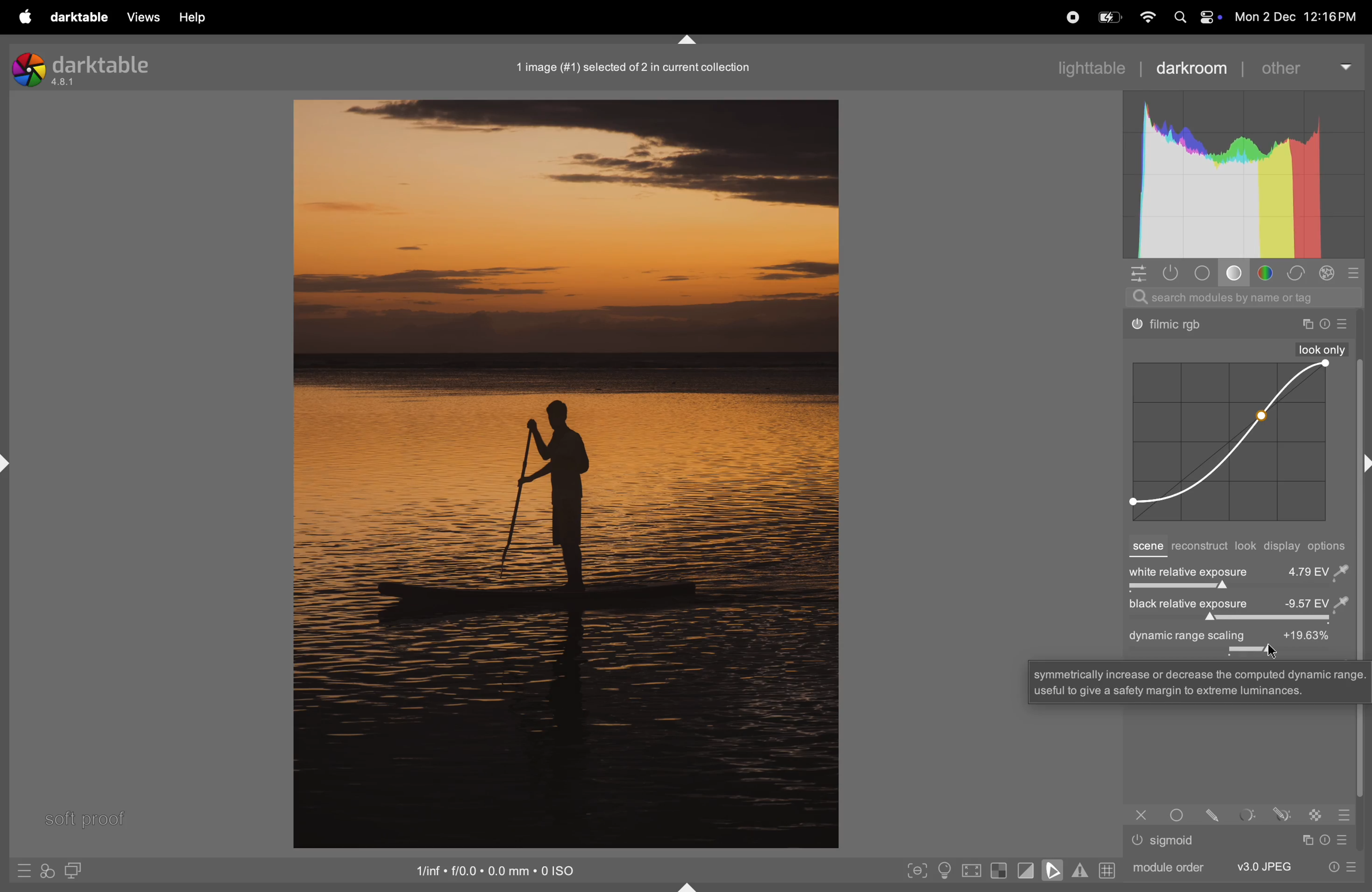 The width and height of the screenshot is (1372, 892). What do you see at coordinates (1069, 16) in the screenshot?
I see `record` at bounding box center [1069, 16].